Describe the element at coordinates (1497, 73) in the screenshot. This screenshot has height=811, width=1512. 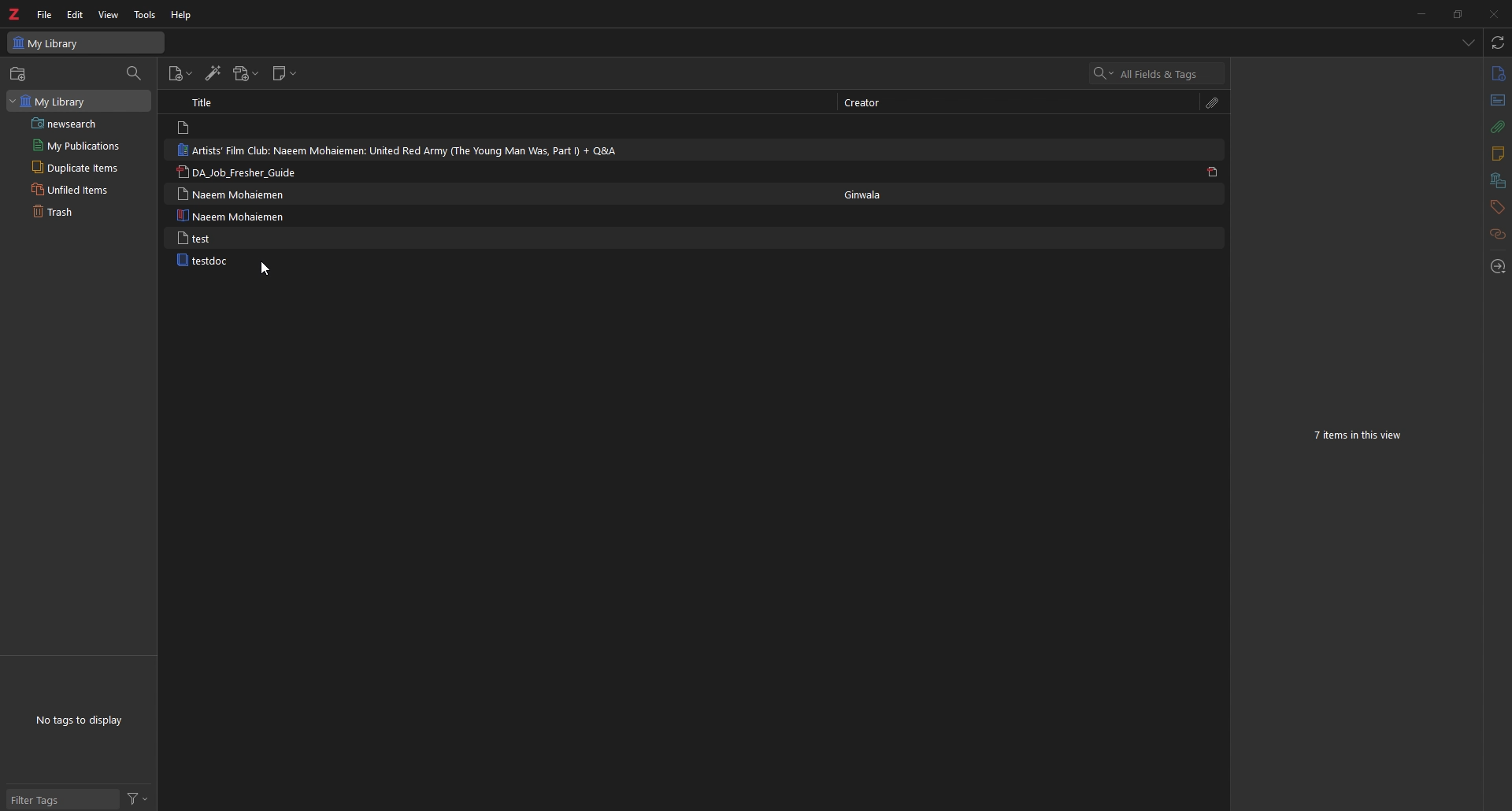
I see `info` at that location.